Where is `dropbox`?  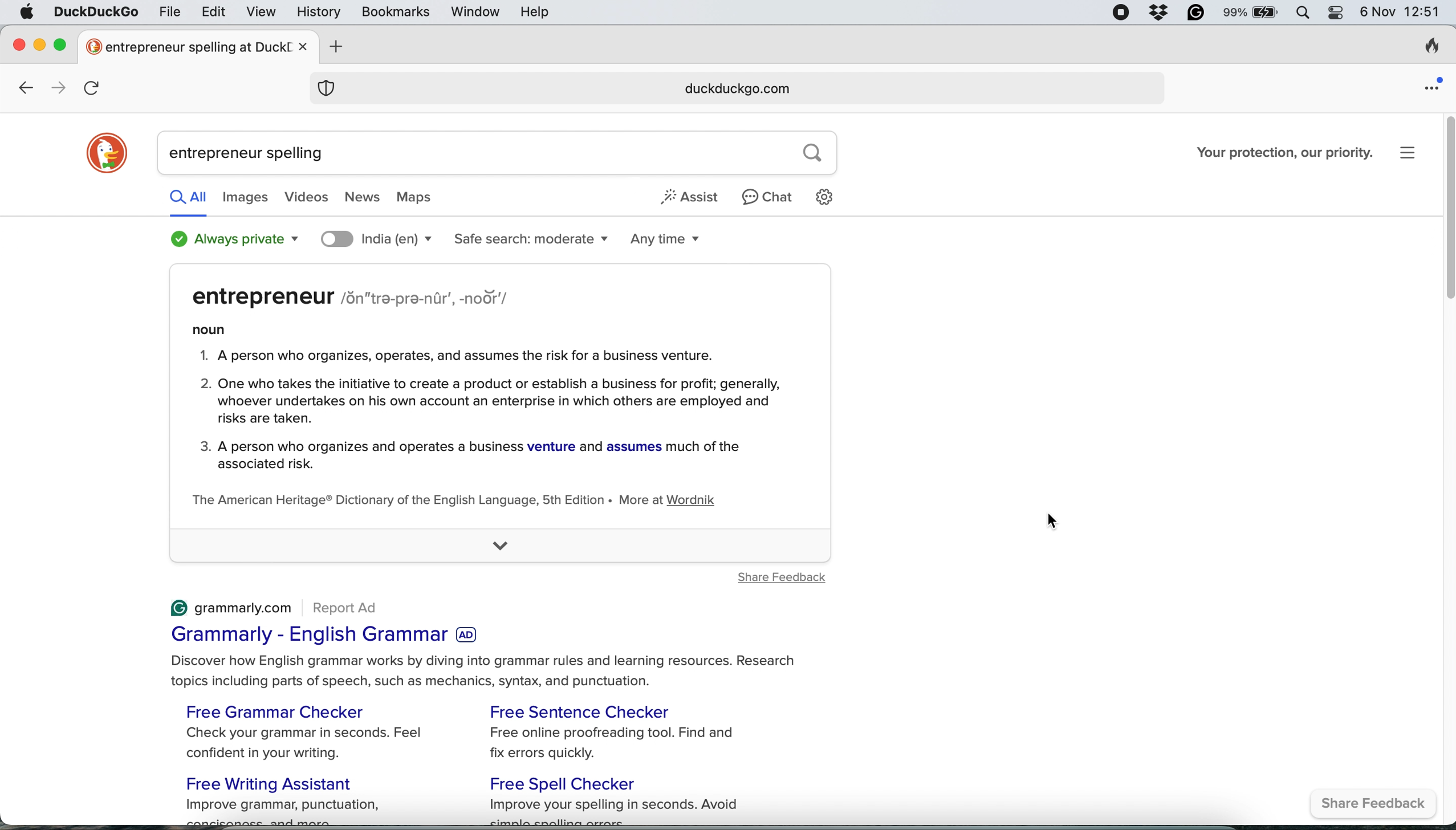
dropbox is located at coordinates (1157, 13).